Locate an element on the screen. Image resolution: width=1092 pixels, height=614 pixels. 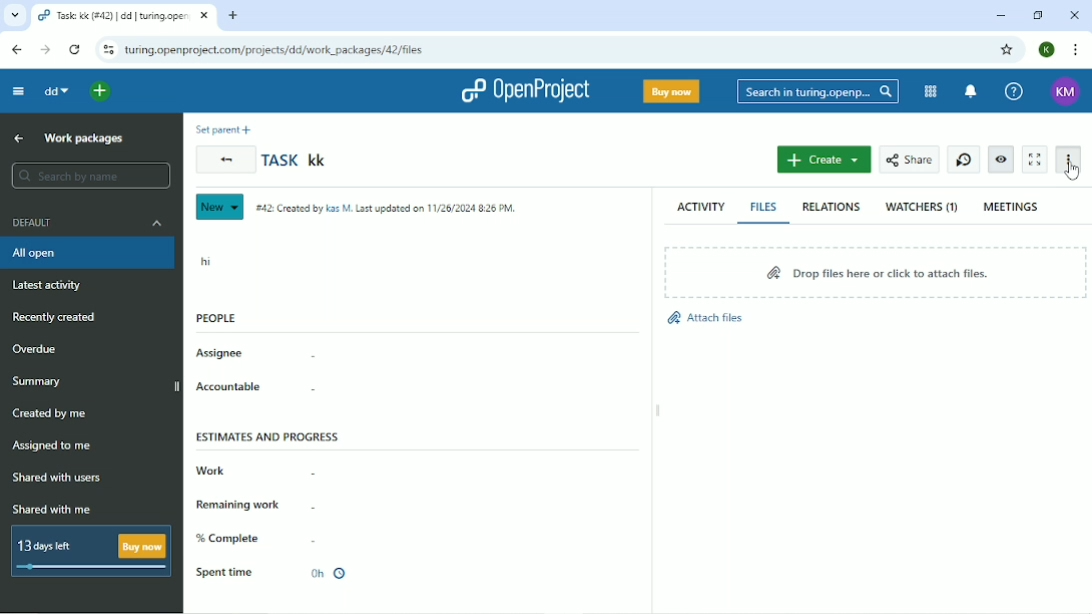
Overdue is located at coordinates (35, 350).